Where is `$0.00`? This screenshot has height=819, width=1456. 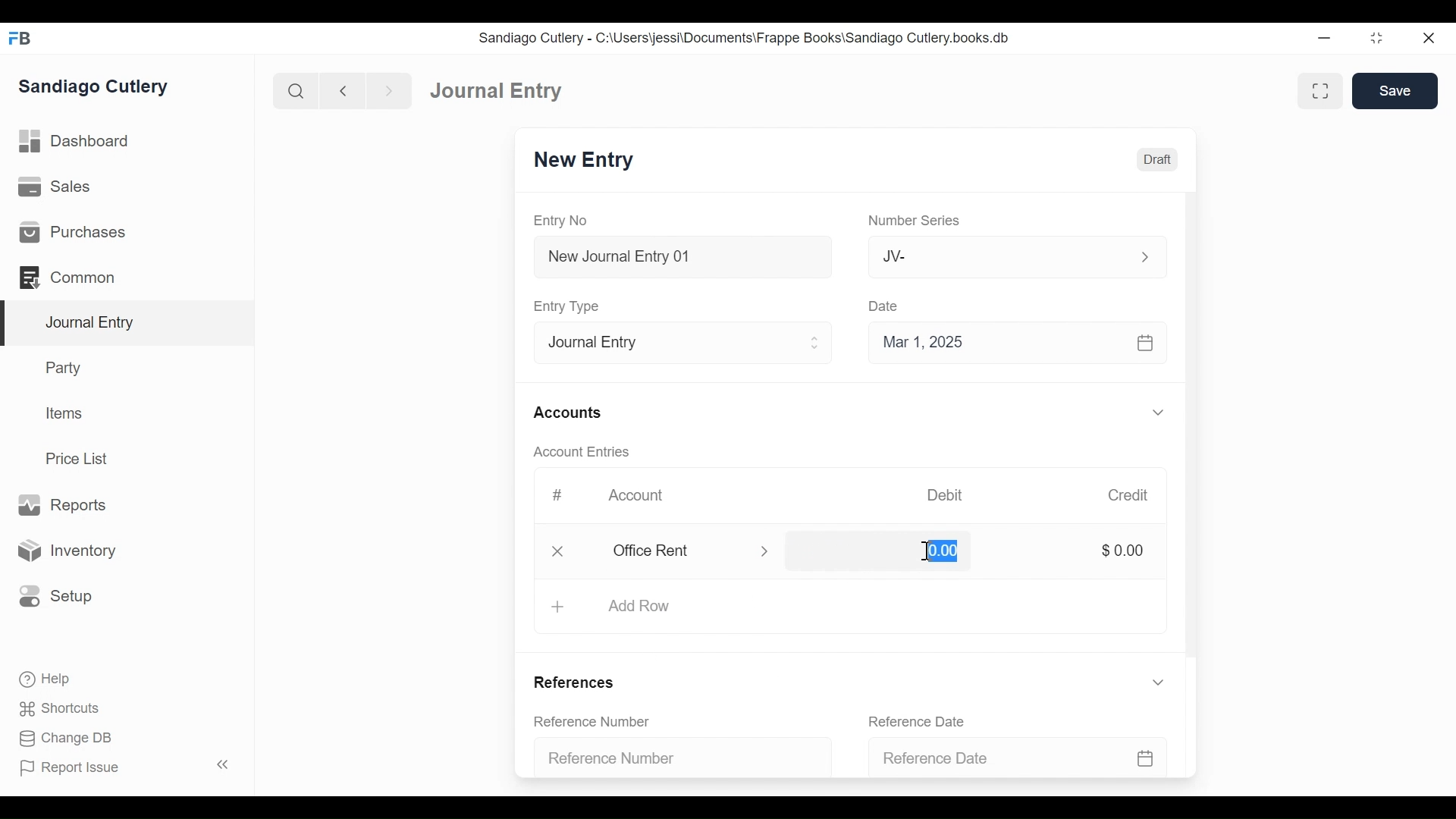 $0.00 is located at coordinates (1122, 551).